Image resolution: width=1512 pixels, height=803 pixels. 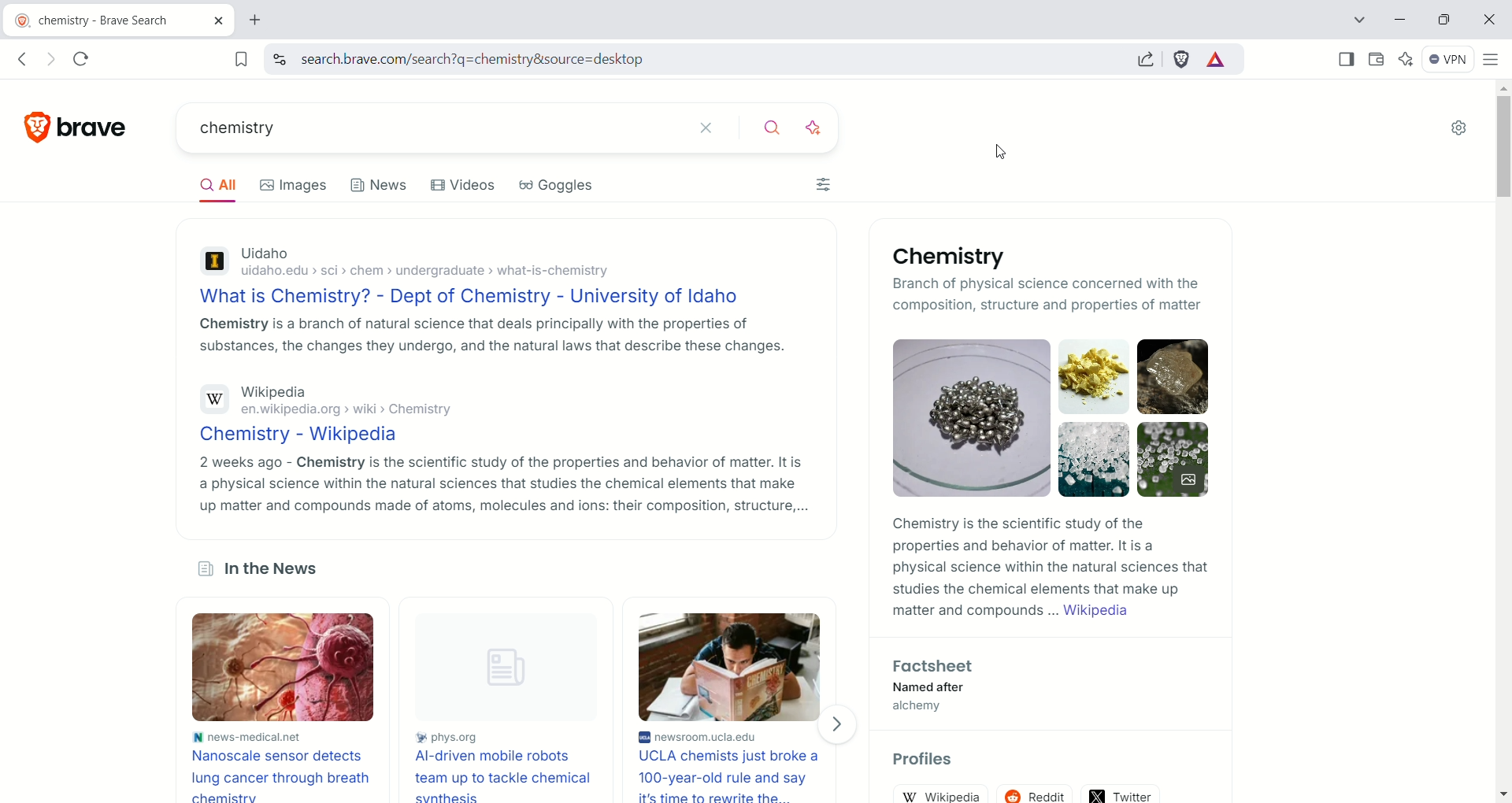 I want to click on blank thumbnail, so click(x=501, y=668).